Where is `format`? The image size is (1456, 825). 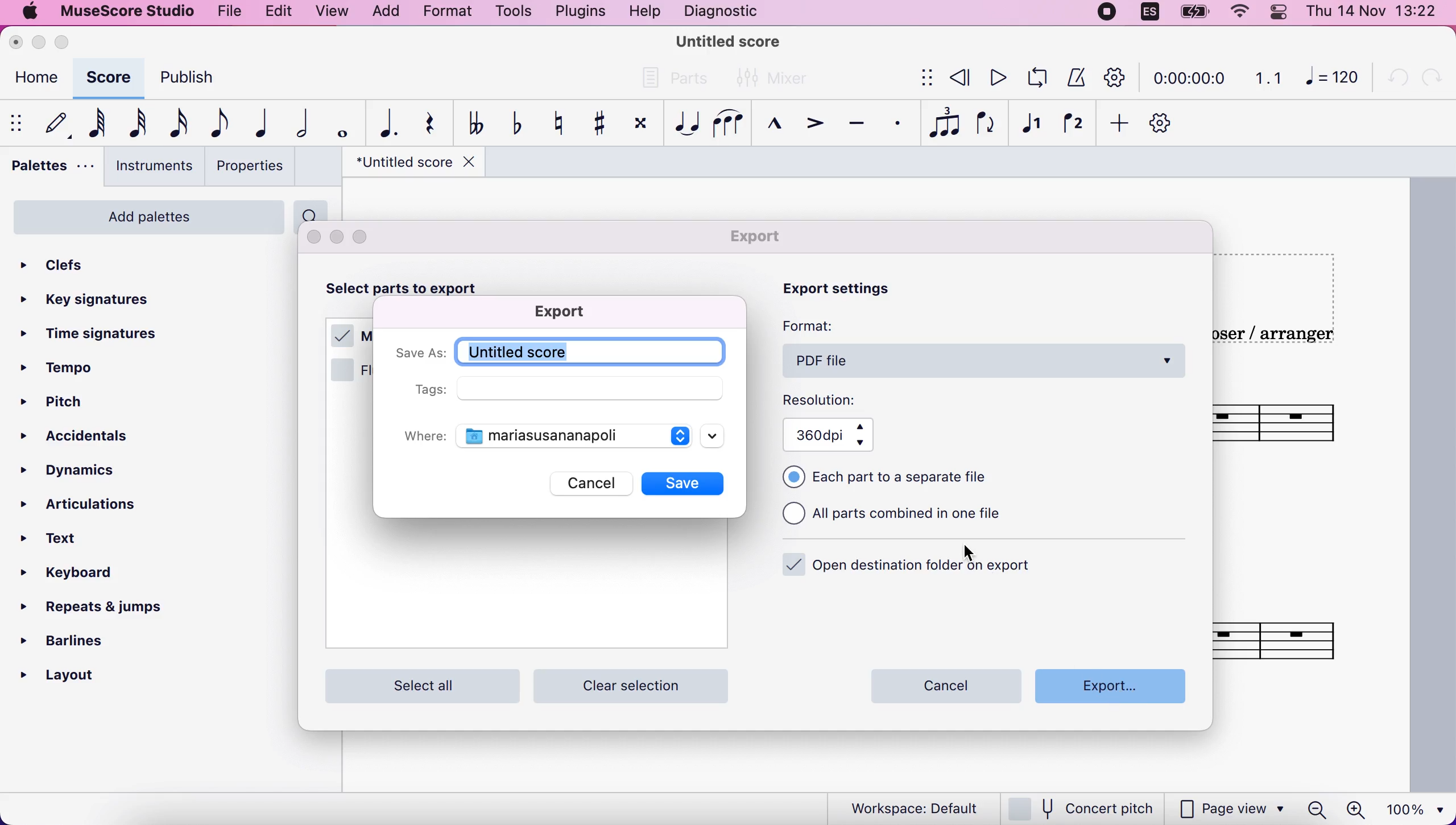
format is located at coordinates (816, 328).